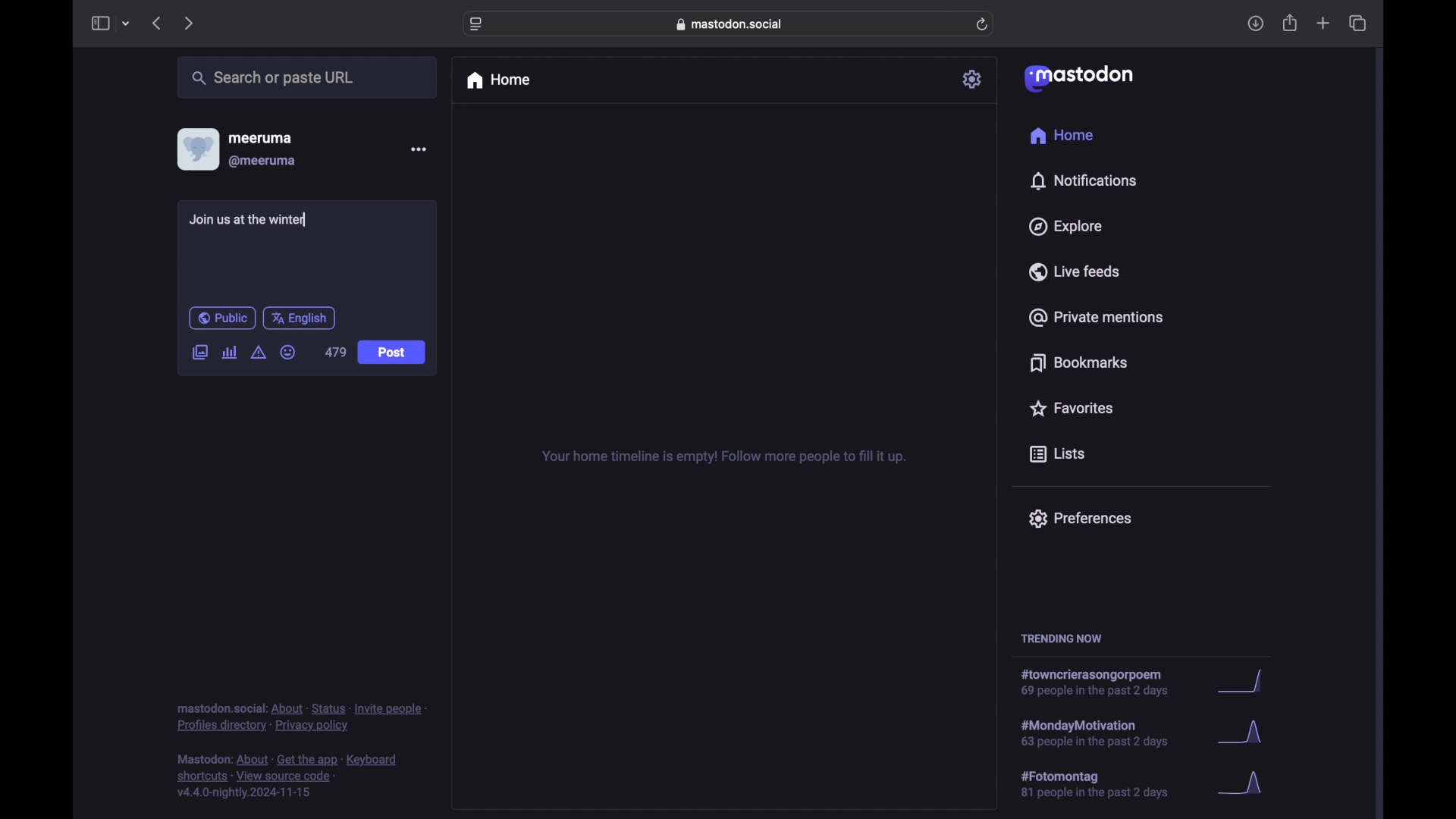 This screenshot has height=819, width=1456. I want to click on settings, so click(974, 79).